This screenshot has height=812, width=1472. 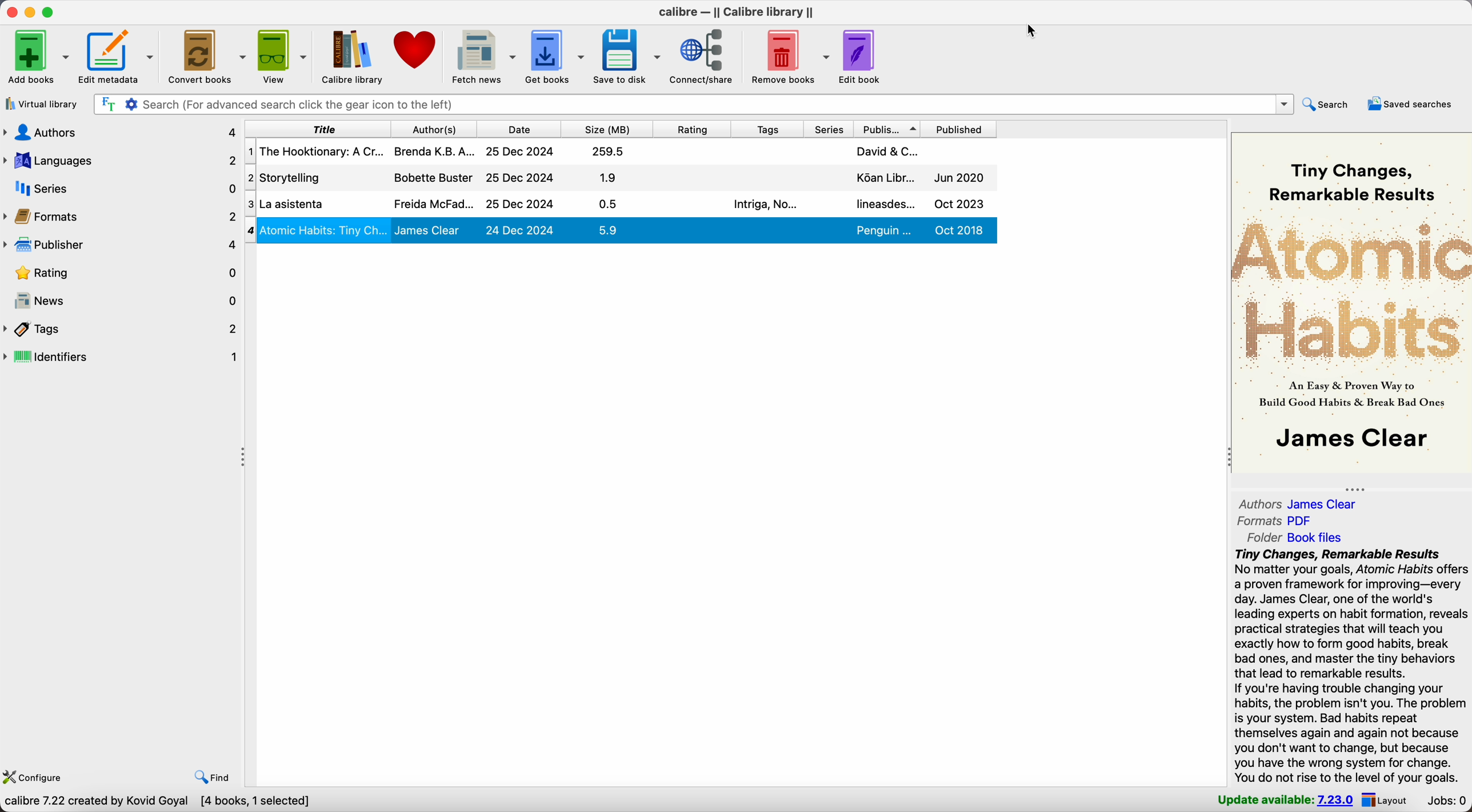 What do you see at coordinates (736, 11) in the screenshot?
I see `Calibre - || calibre library ||` at bounding box center [736, 11].